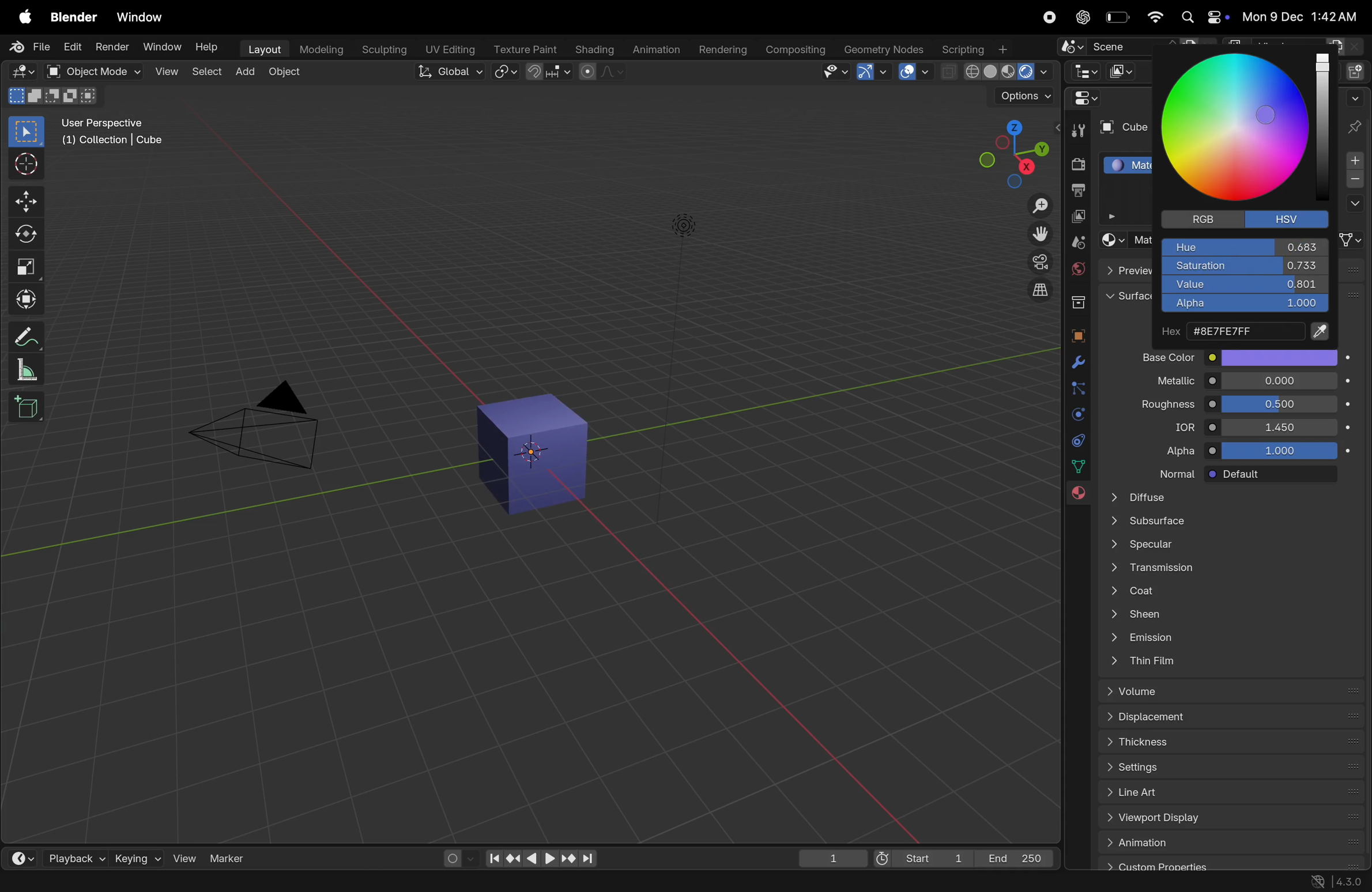  Describe the element at coordinates (152, 881) in the screenshot. I see `pan view` at that location.